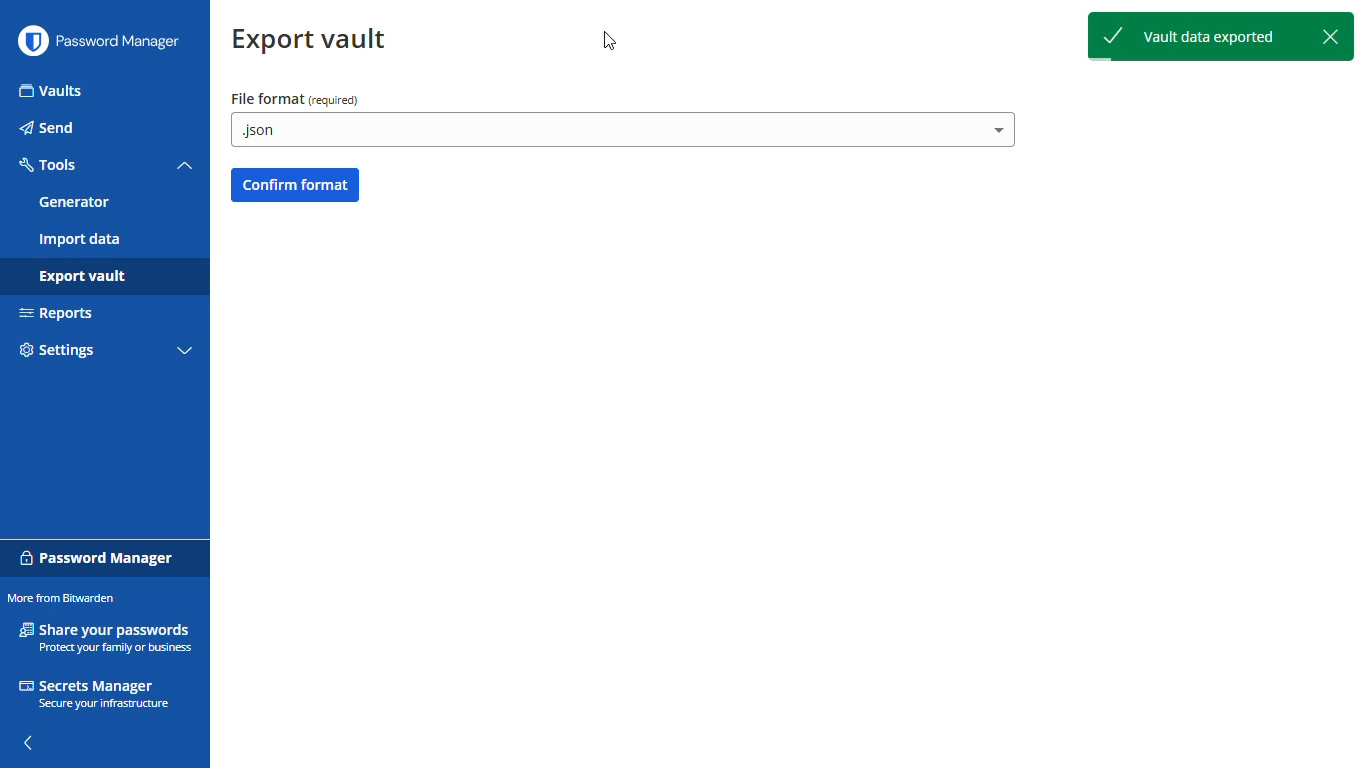 This screenshot has width=1366, height=768. Describe the element at coordinates (295, 183) in the screenshot. I see `confirm format` at that location.